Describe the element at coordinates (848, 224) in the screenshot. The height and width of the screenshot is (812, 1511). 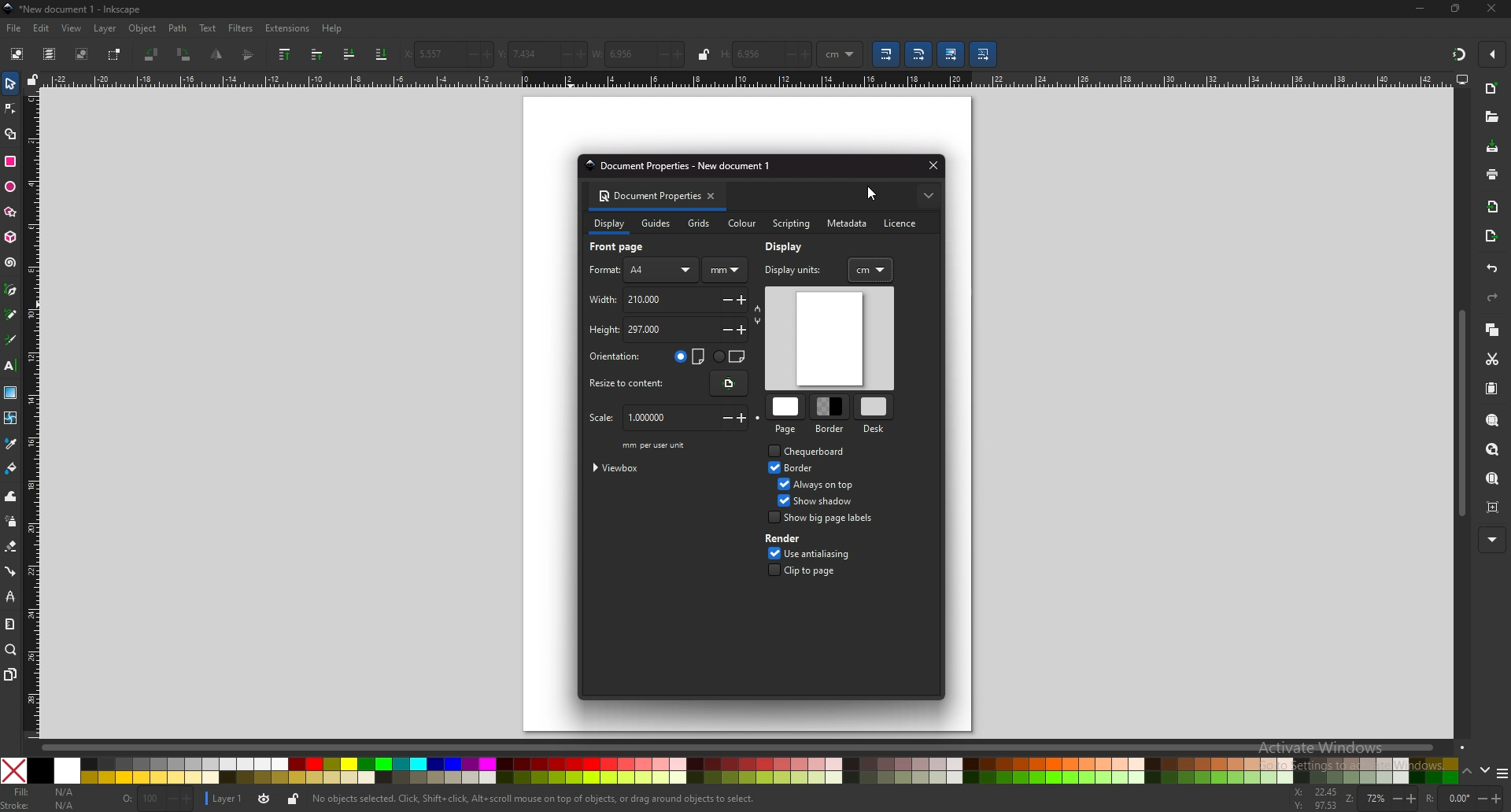
I see `metadata` at that location.